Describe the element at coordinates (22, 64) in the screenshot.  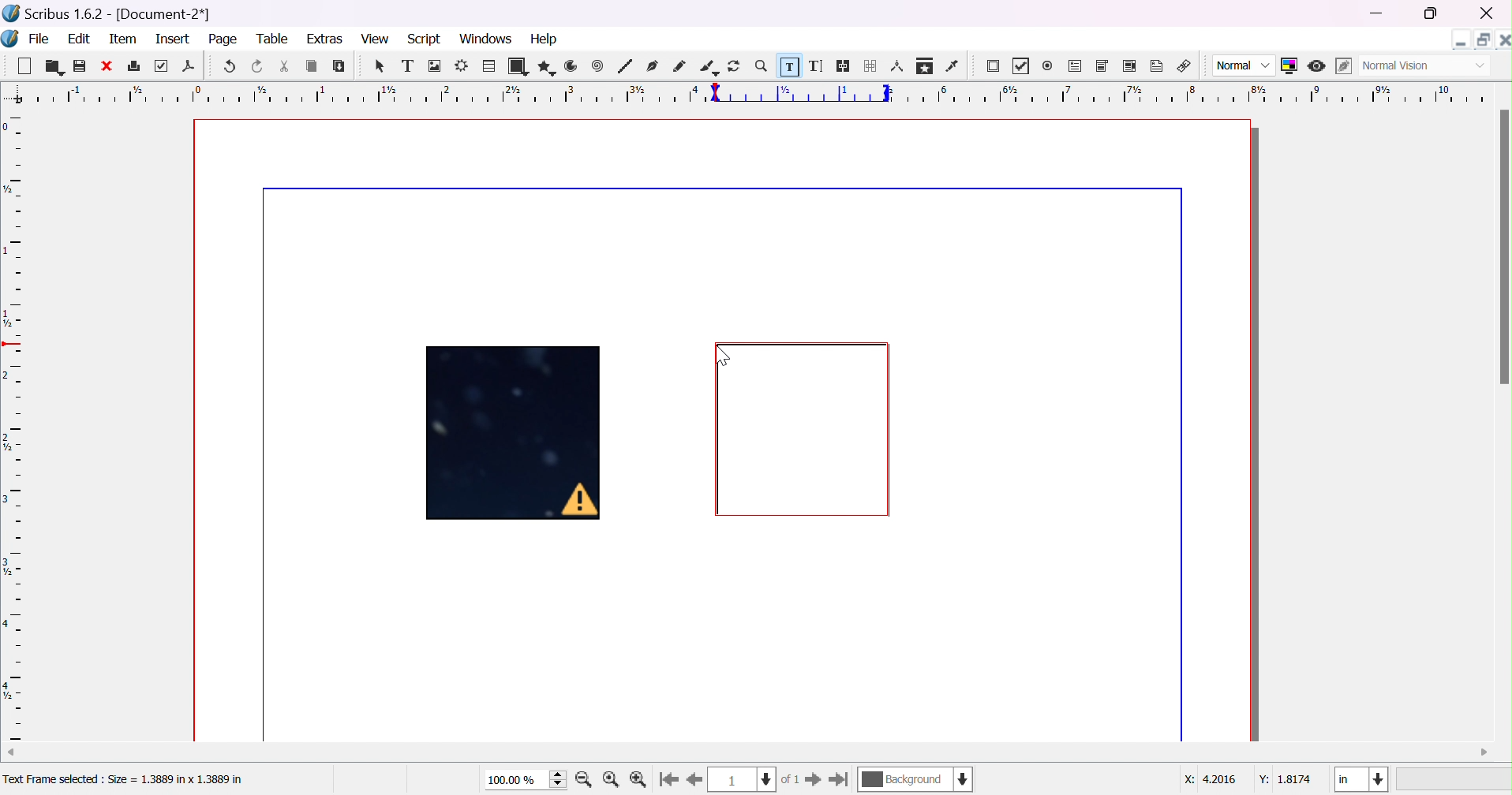
I see `new` at that location.